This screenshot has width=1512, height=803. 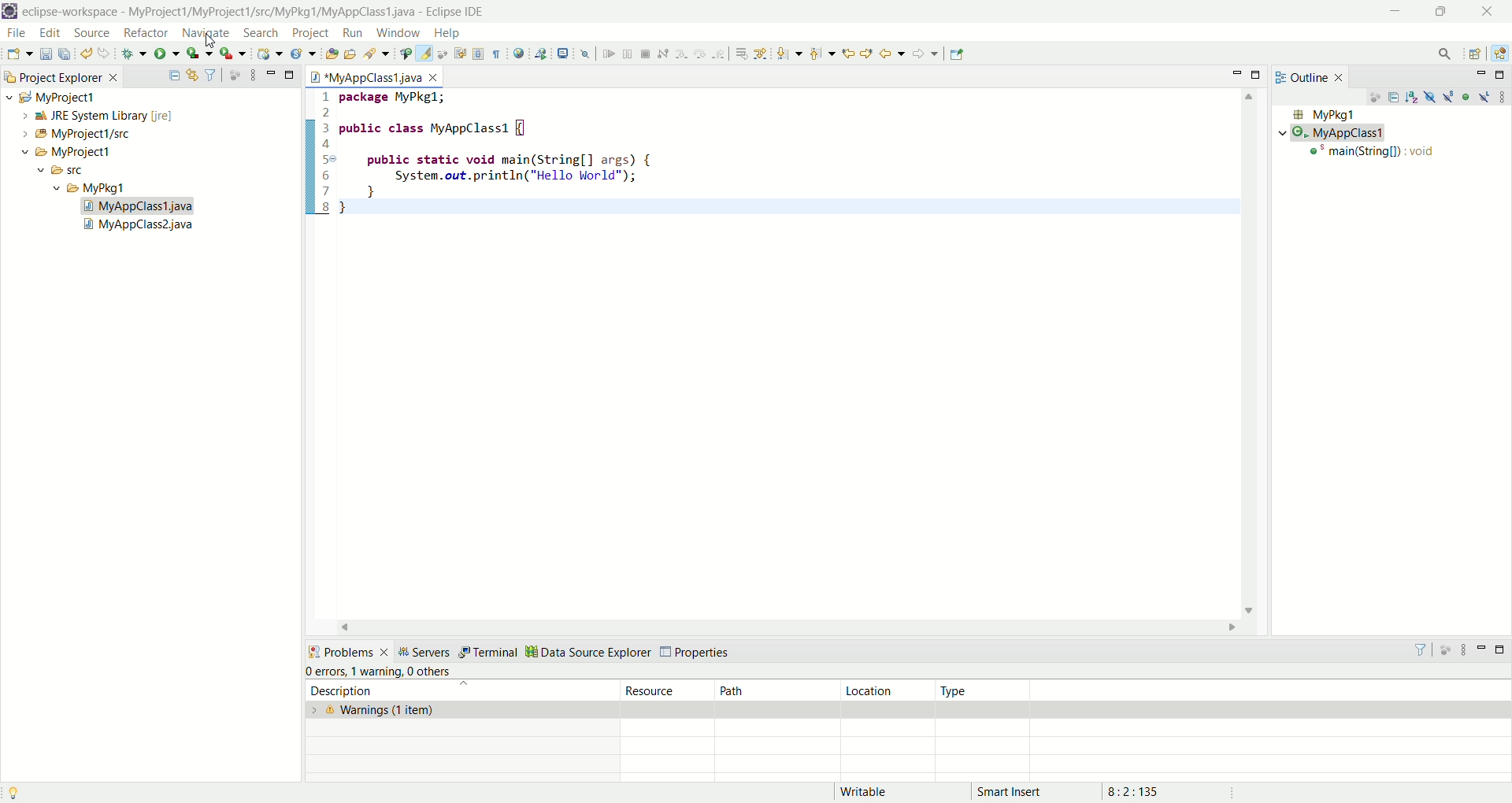 What do you see at coordinates (775, 690) in the screenshot?
I see `path` at bounding box center [775, 690].